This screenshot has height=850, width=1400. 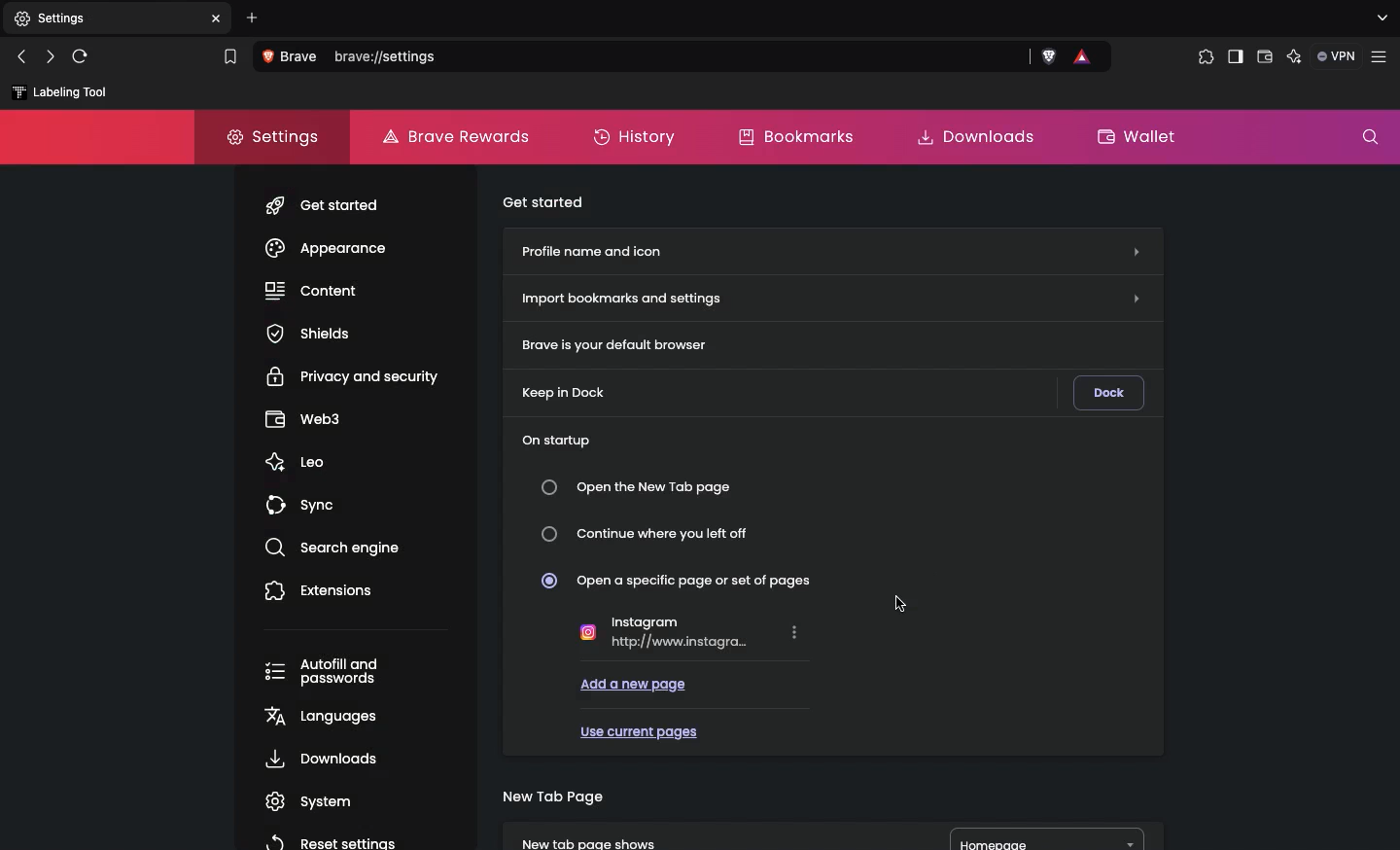 I want to click on leo AI, so click(x=1294, y=57).